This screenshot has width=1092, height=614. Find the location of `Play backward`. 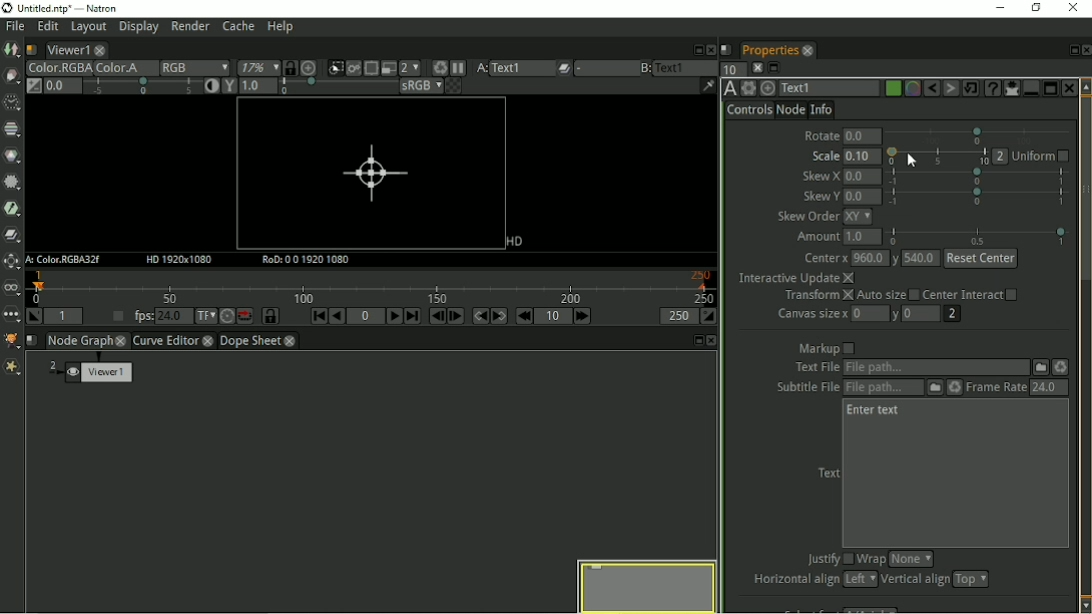

Play backward is located at coordinates (338, 316).